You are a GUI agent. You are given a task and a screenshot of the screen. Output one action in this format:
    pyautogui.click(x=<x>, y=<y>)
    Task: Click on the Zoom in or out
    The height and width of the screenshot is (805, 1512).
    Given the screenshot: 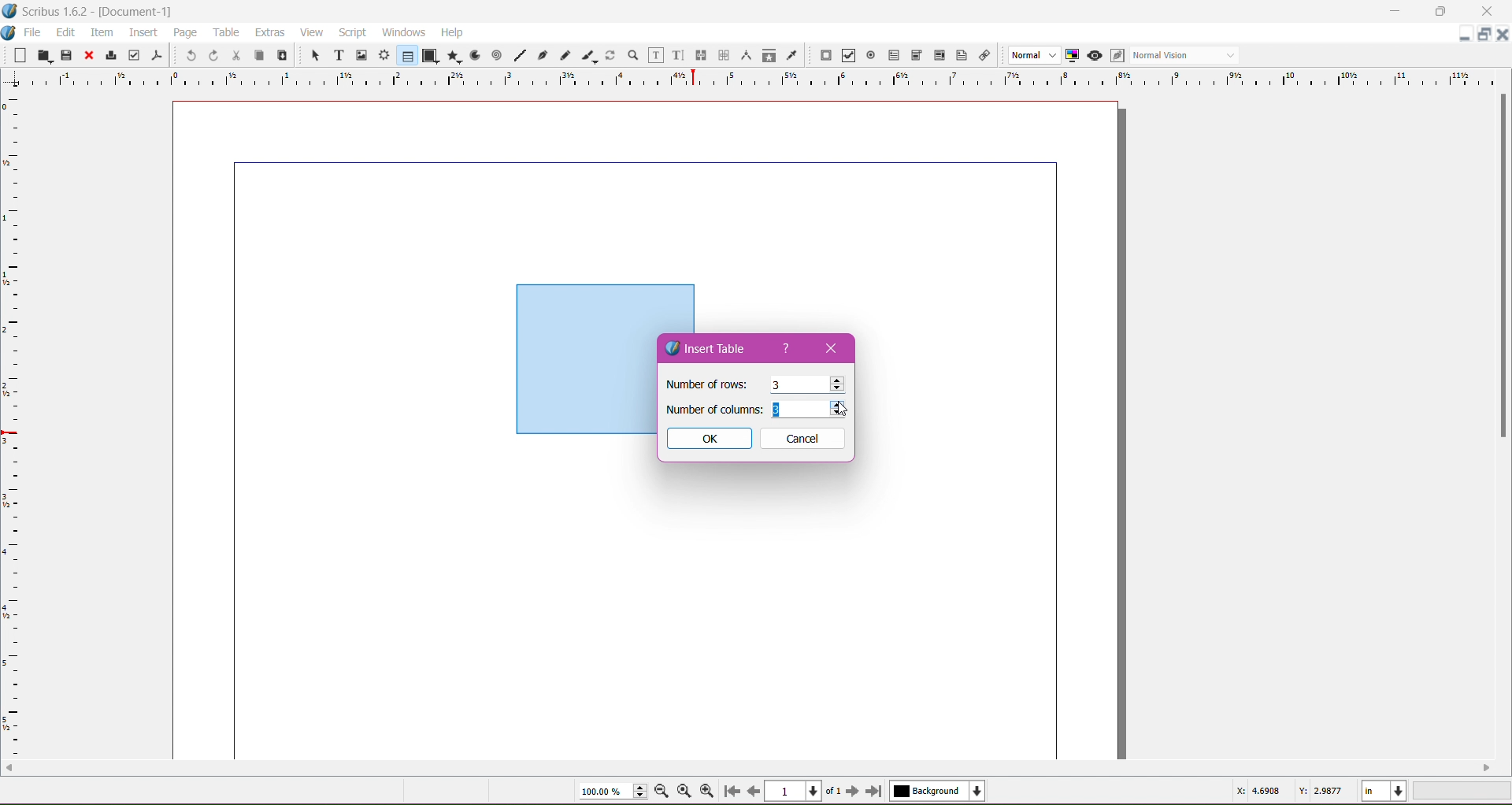 What is the action you would take?
    pyautogui.click(x=628, y=54)
    